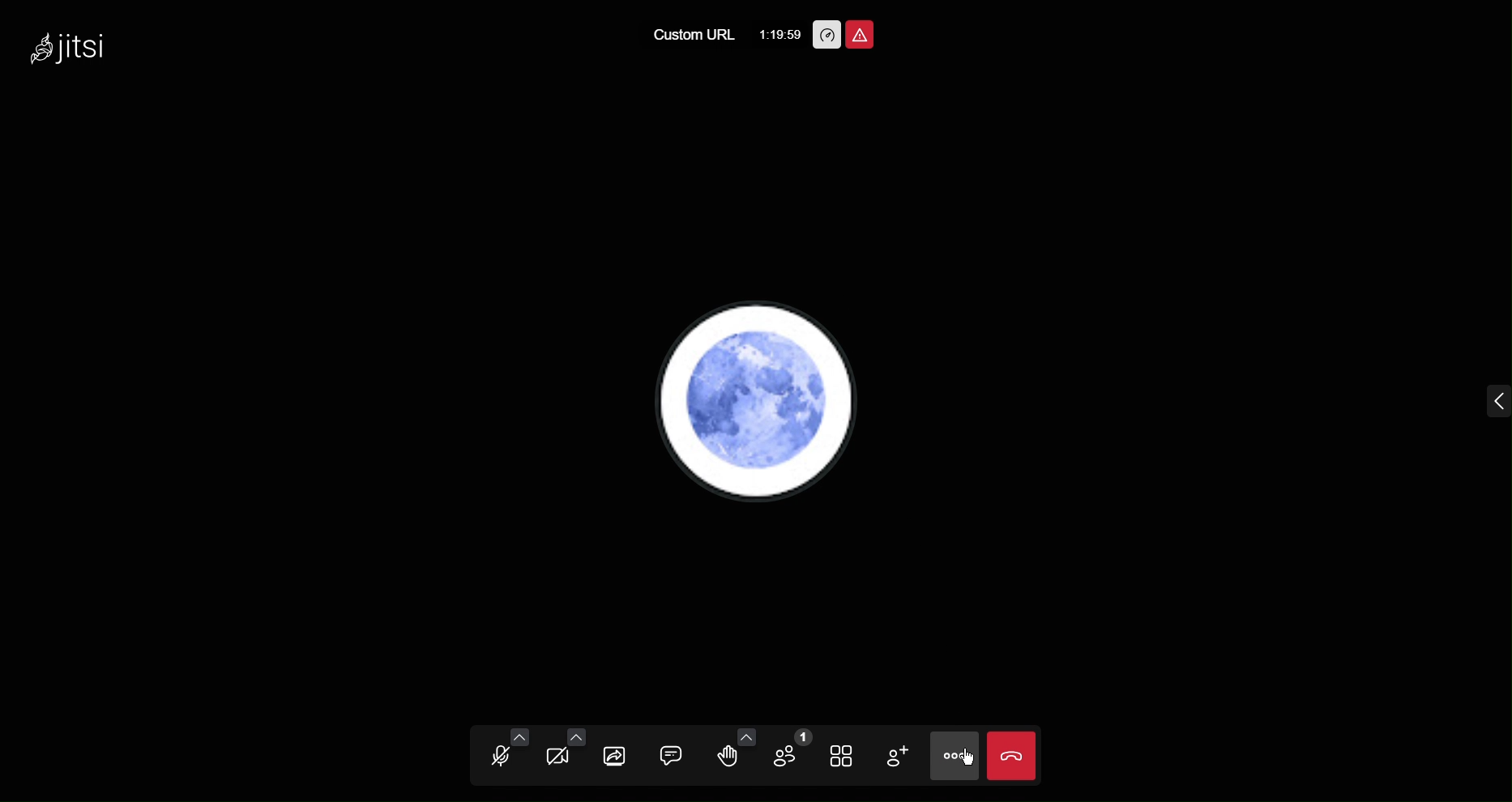  Describe the element at coordinates (826, 35) in the screenshot. I see `Performance` at that location.